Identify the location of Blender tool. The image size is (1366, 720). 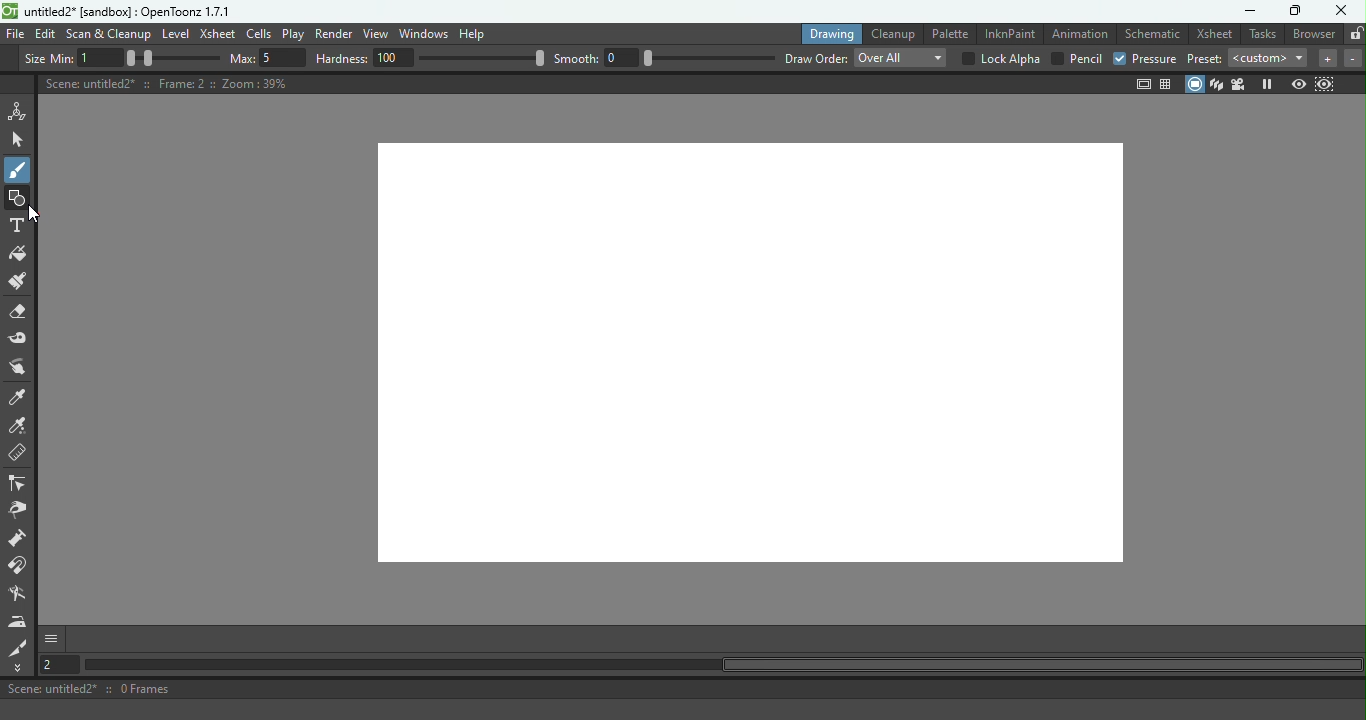
(21, 596).